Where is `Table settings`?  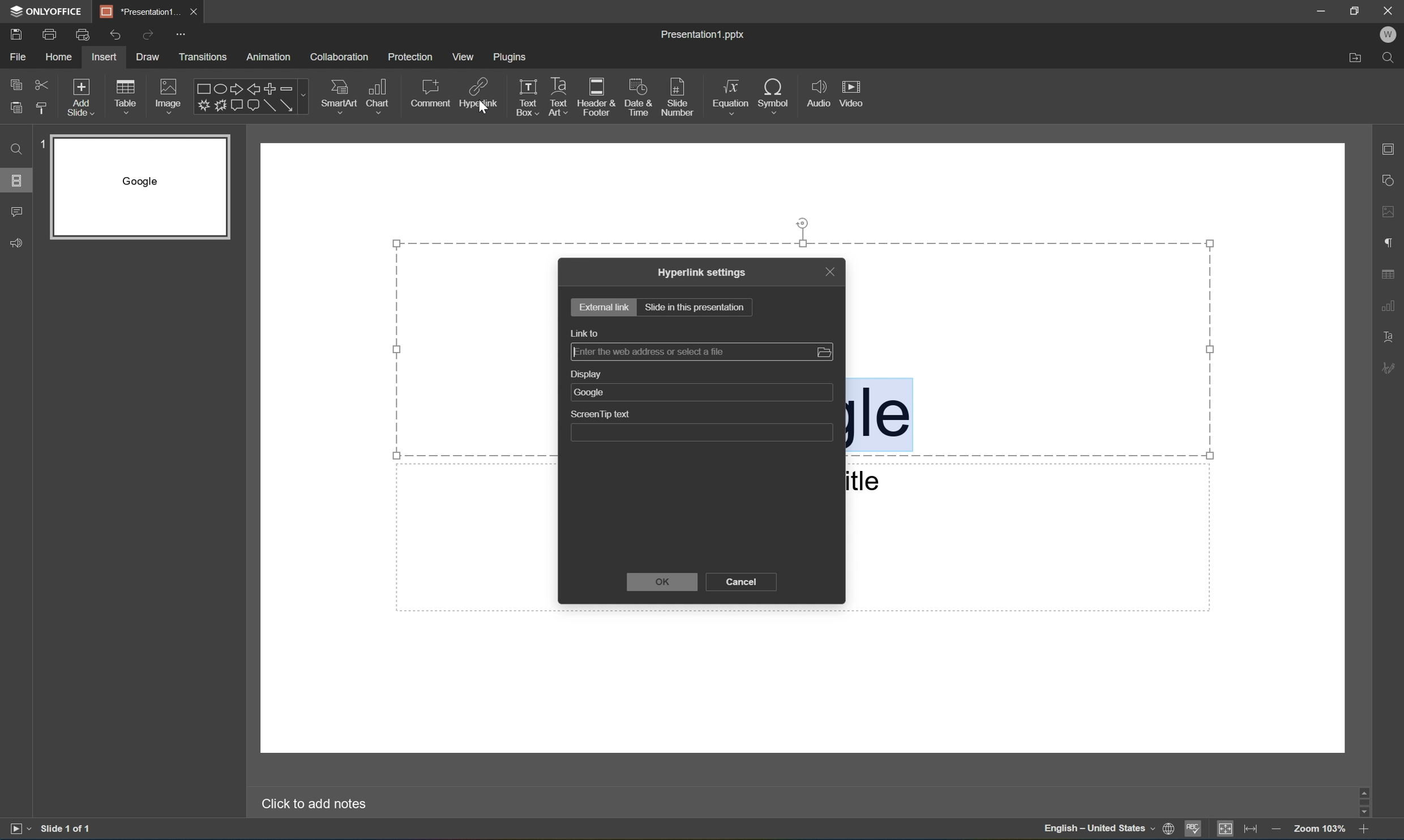
Table settings is located at coordinates (1389, 274).